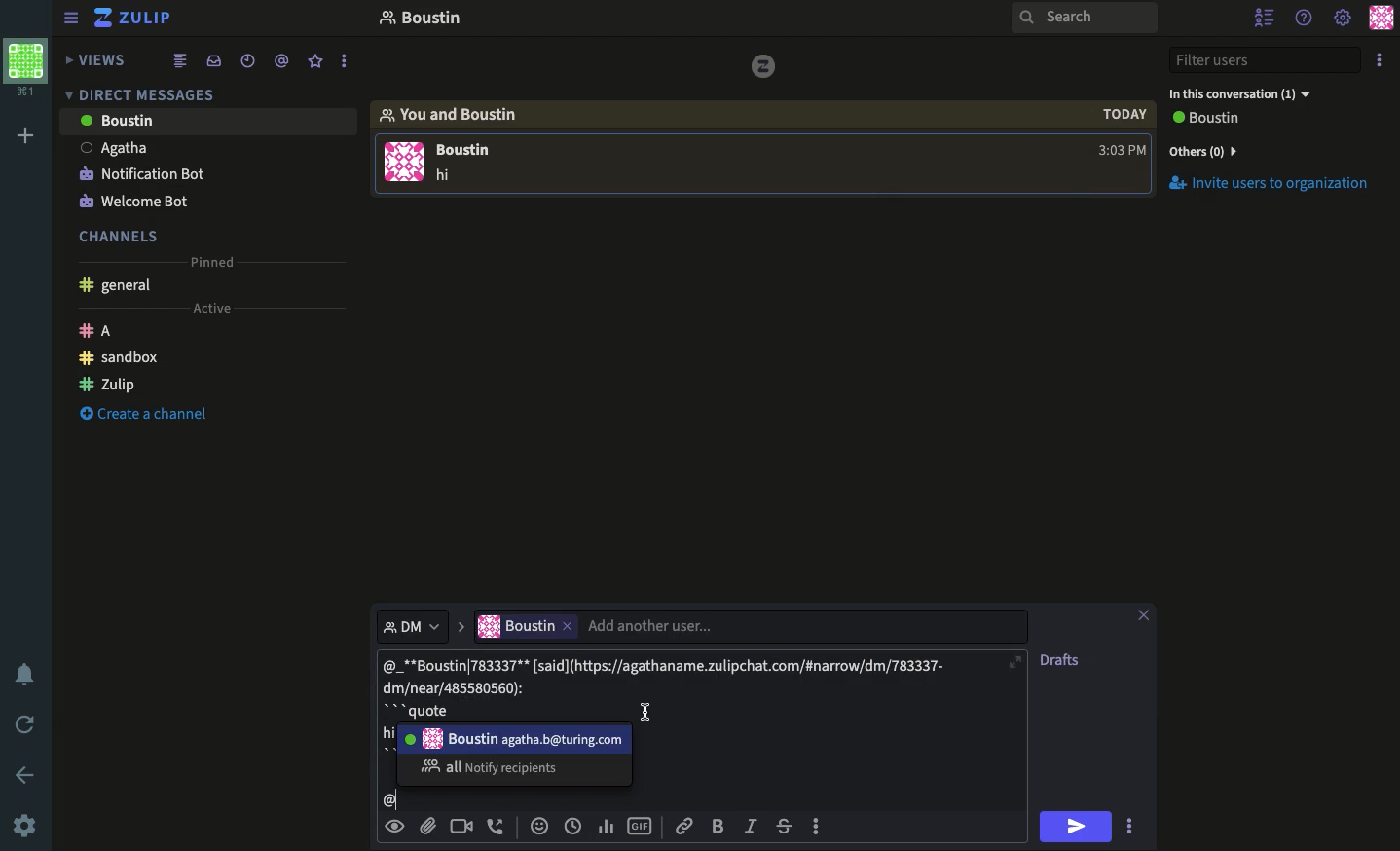 Image resolution: width=1400 pixels, height=851 pixels. What do you see at coordinates (145, 416) in the screenshot?
I see `Create channel` at bounding box center [145, 416].